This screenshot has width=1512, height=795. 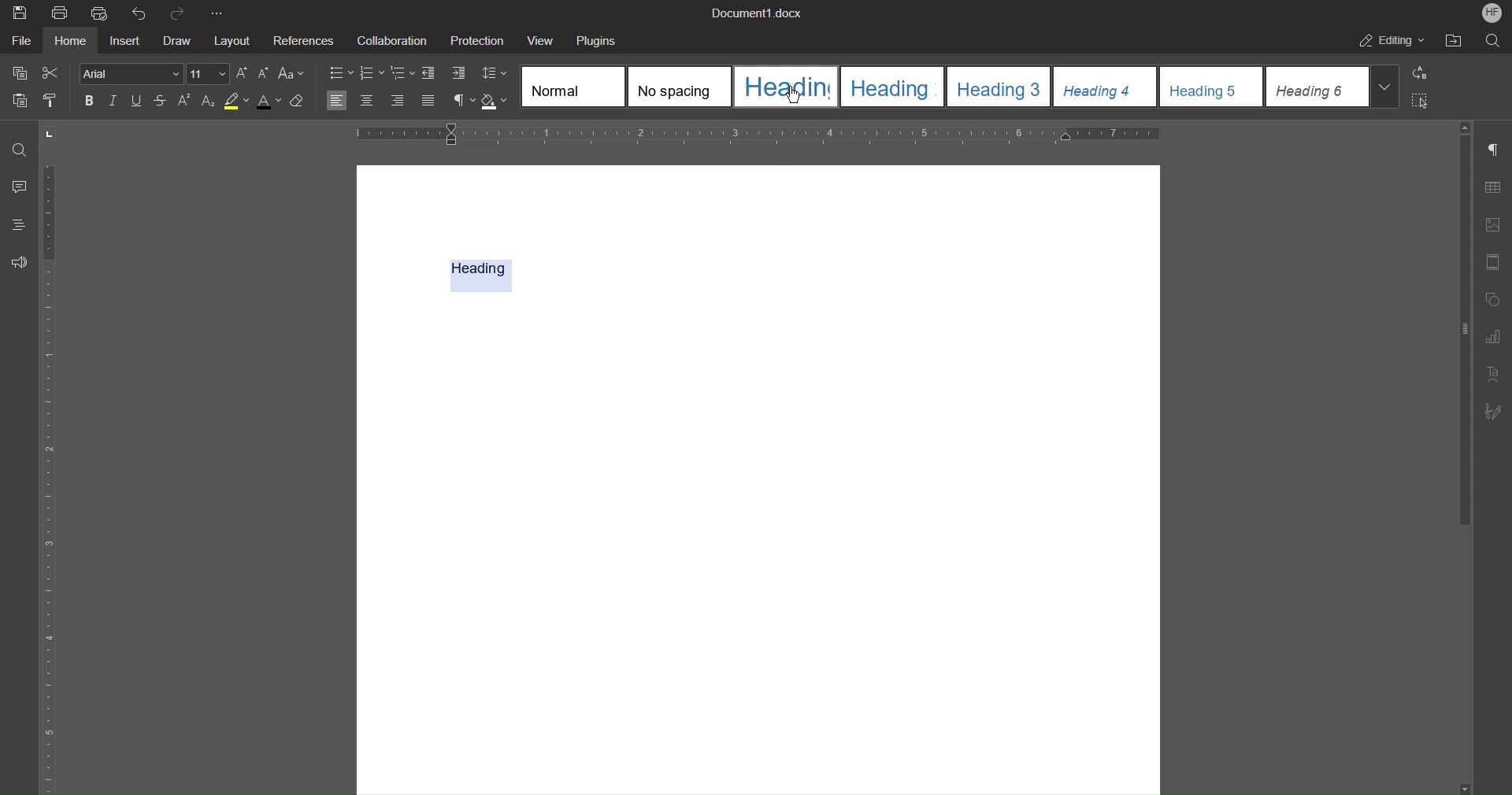 What do you see at coordinates (392, 39) in the screenshot?
I see `Collaboration` at bounding box center [392, 39].